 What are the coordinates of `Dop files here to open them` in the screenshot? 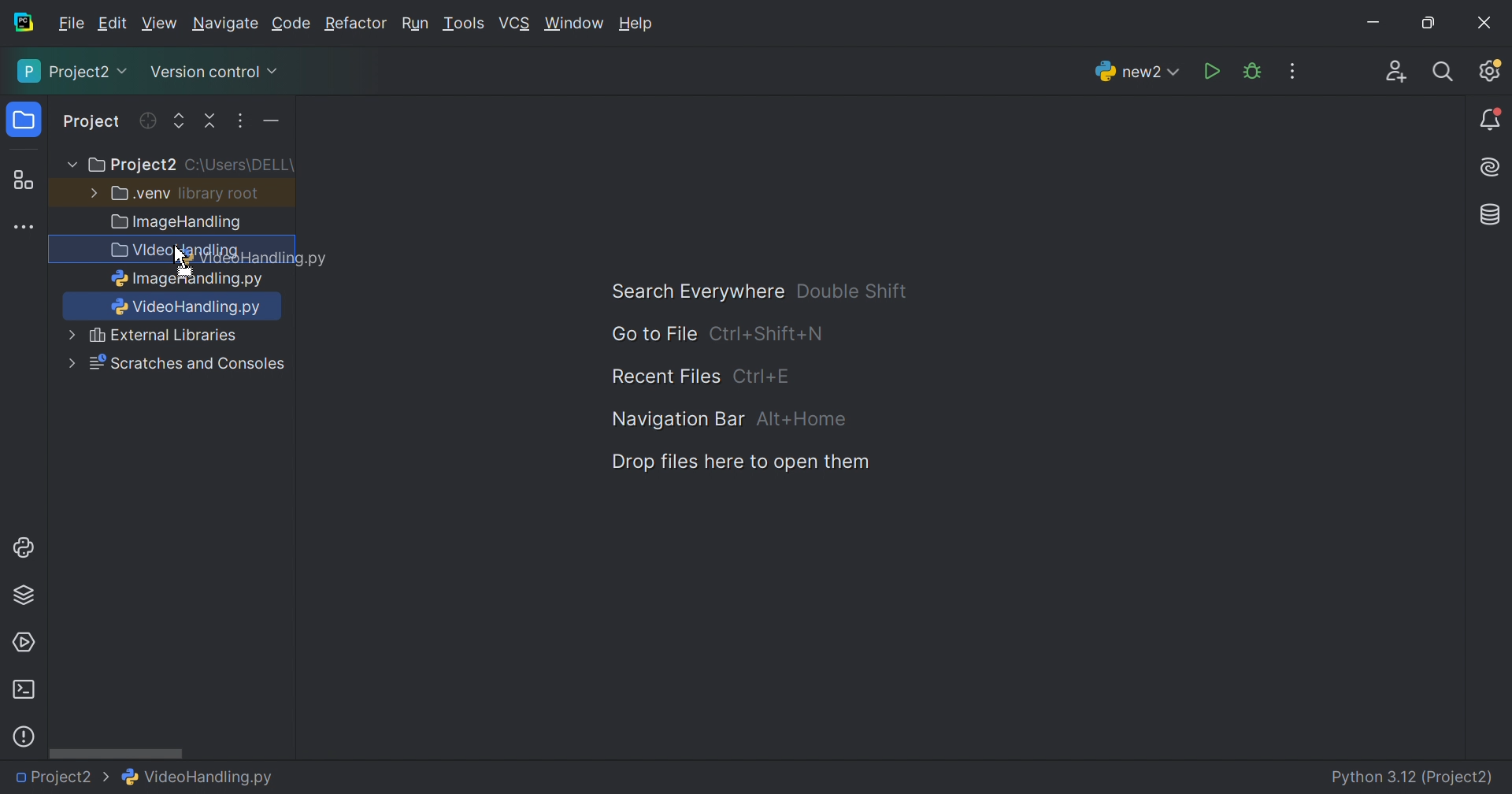 It's located at (735, 462).